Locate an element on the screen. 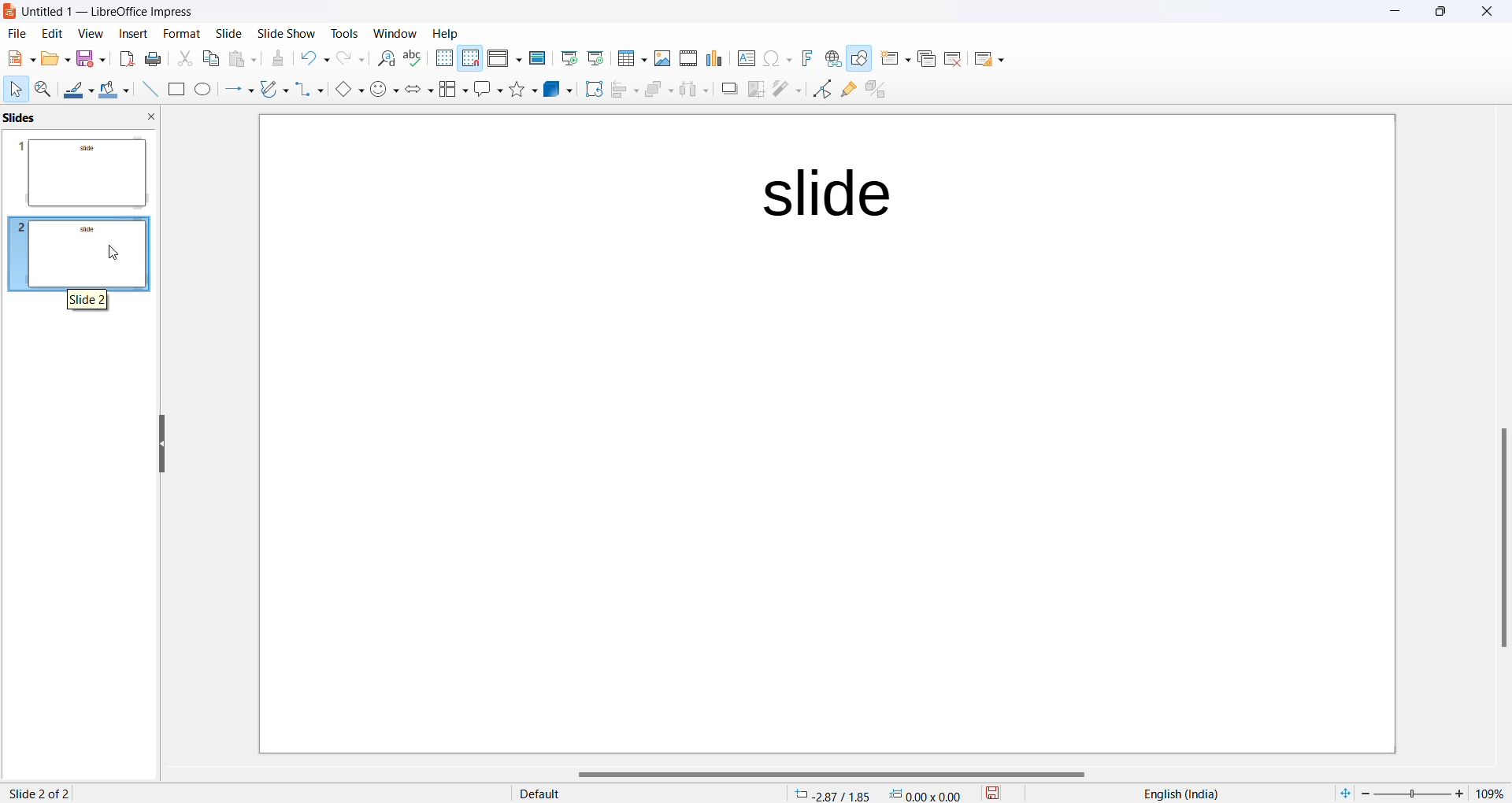 Image resolution: width=1512 pixels, height=803 pixels. Zoom and pan is located at coordinates (41, 88).